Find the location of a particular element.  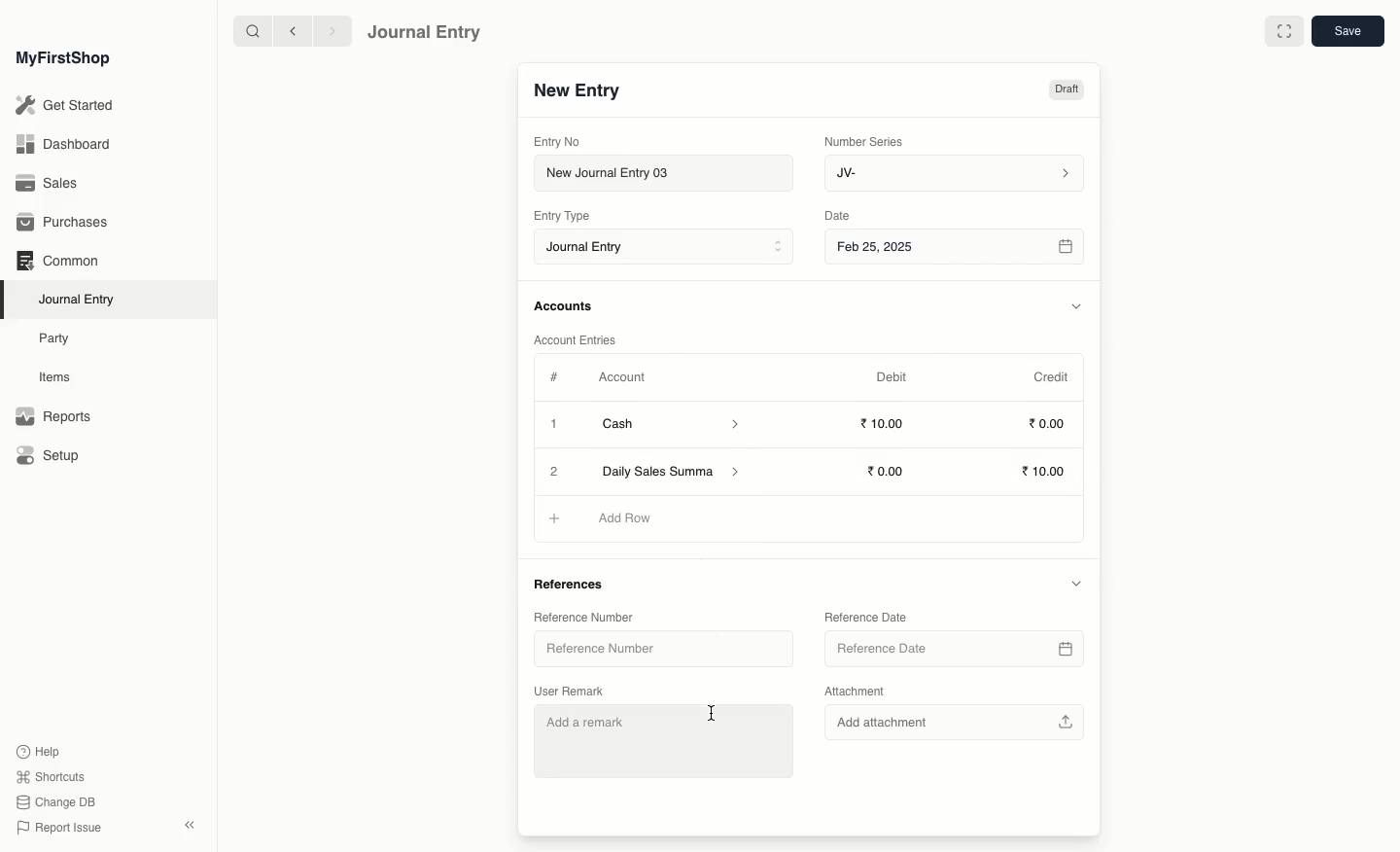

Date is located at coordinates (838, 216).